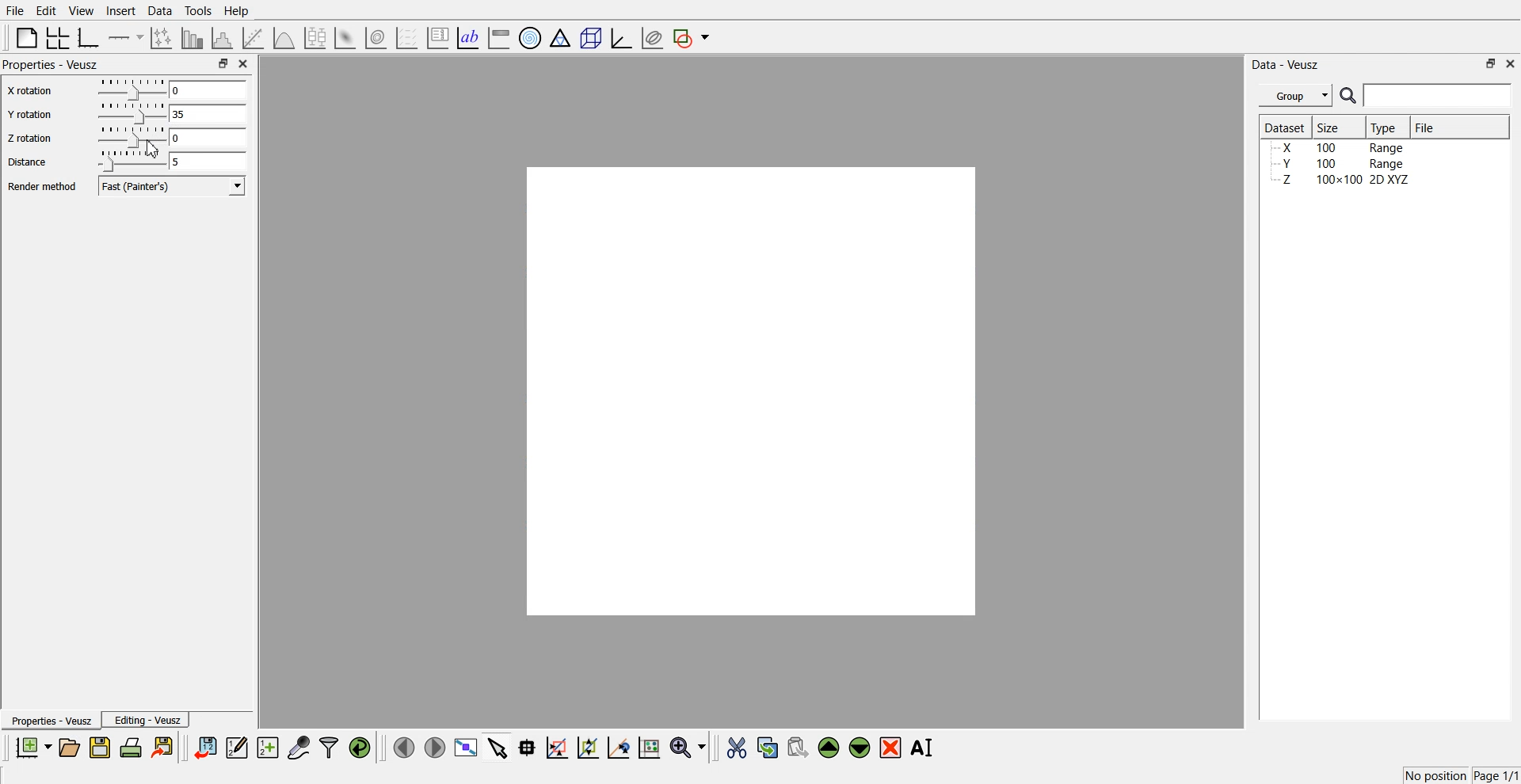  What do you see at coordinates (208, 137) in the screenshot?
I see `0` at bounding box center [208, 137].